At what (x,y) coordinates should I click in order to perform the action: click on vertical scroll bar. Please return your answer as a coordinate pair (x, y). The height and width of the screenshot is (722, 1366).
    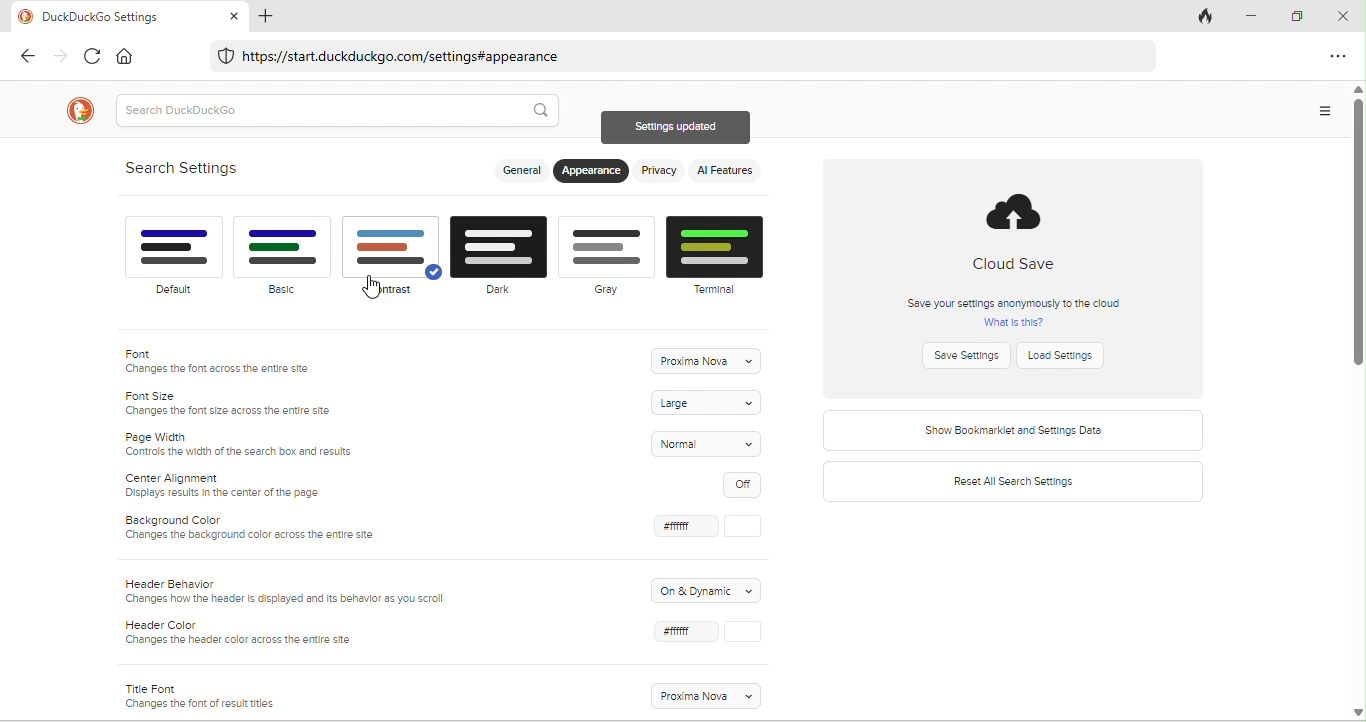
    Looking at the image, I should click on (1356, 399).